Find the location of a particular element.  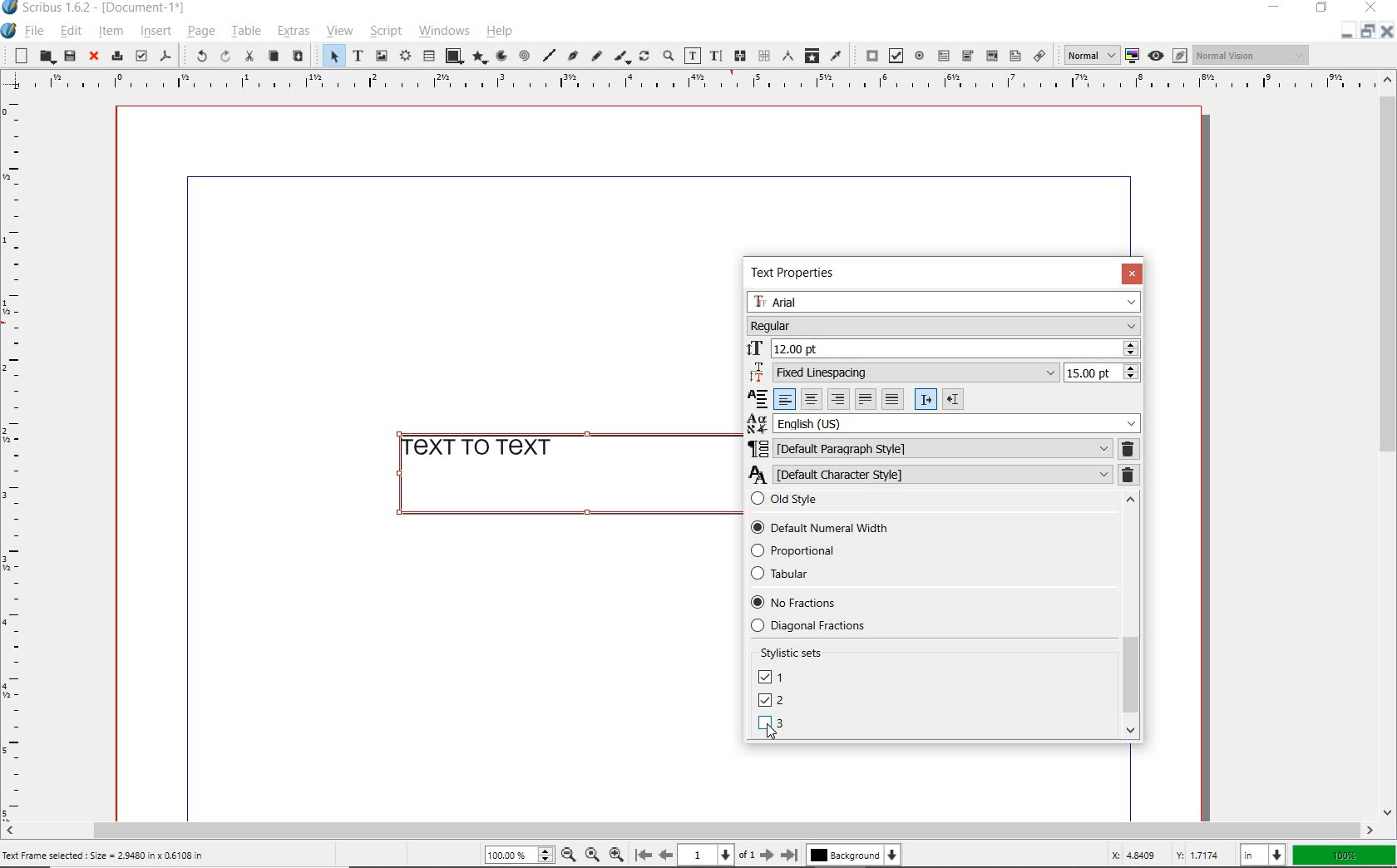

Diagonal fractions is located at coordinates (834, 625).